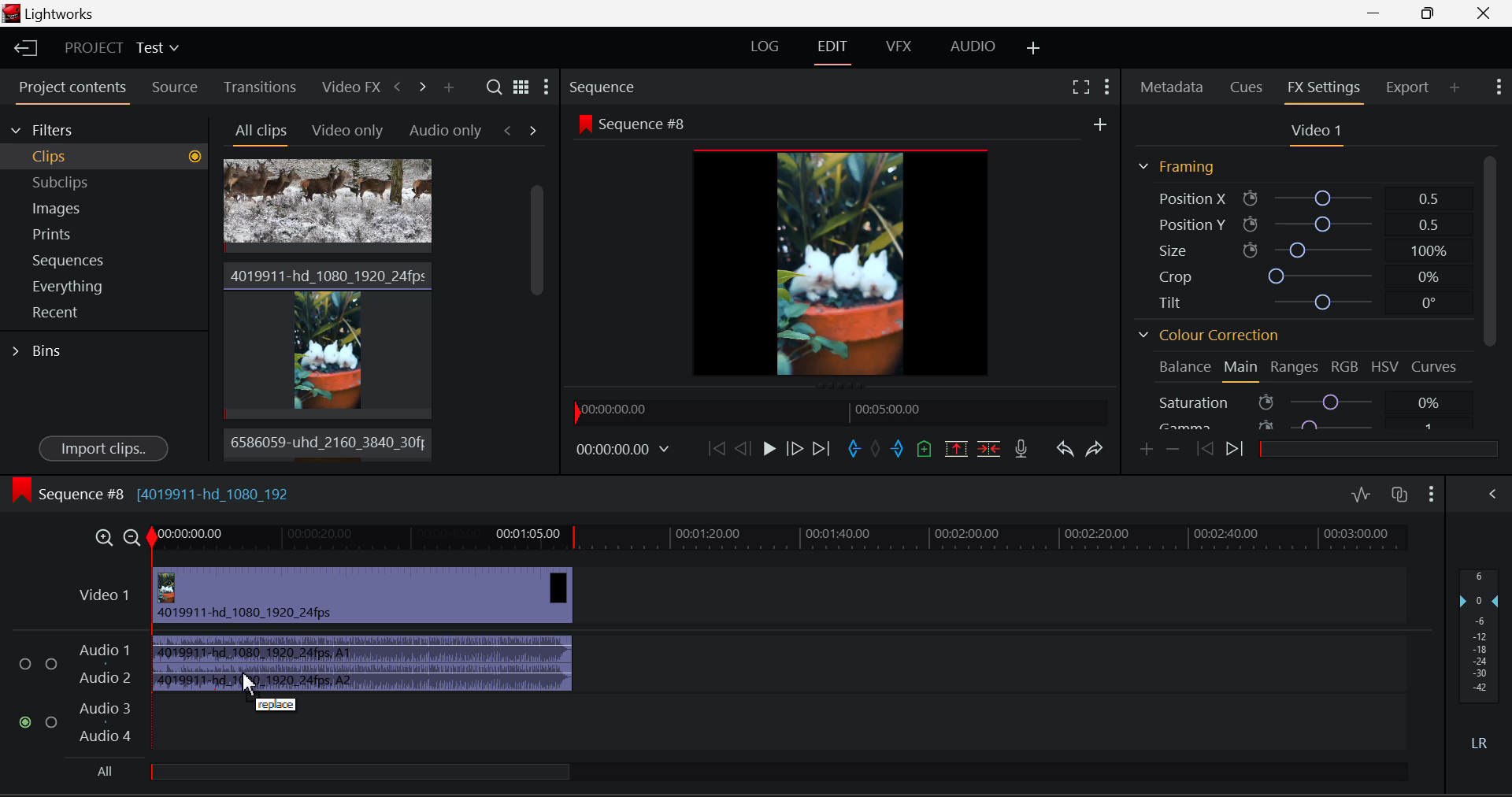 Image resolution: width=1512 pixels, height=797 pixels. I want to click on Minimize, so click(1431, 13).